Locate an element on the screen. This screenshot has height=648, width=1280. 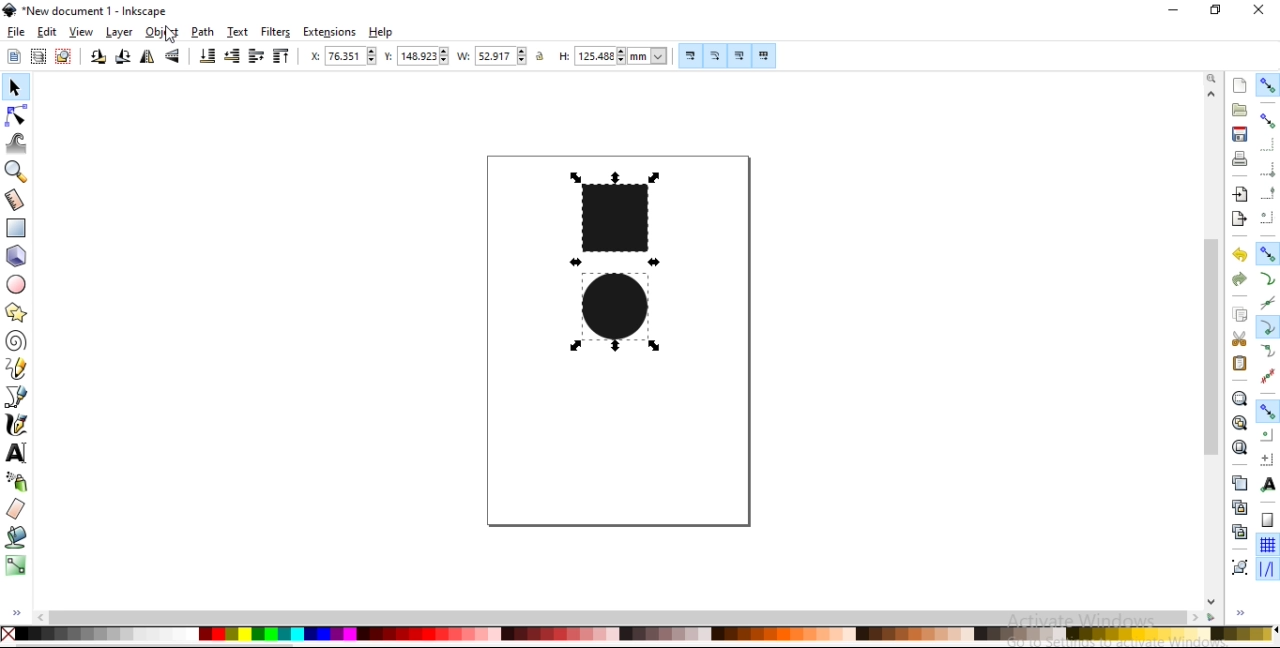
draw bezier curves and straight lines is located at coordinates (17, 398).